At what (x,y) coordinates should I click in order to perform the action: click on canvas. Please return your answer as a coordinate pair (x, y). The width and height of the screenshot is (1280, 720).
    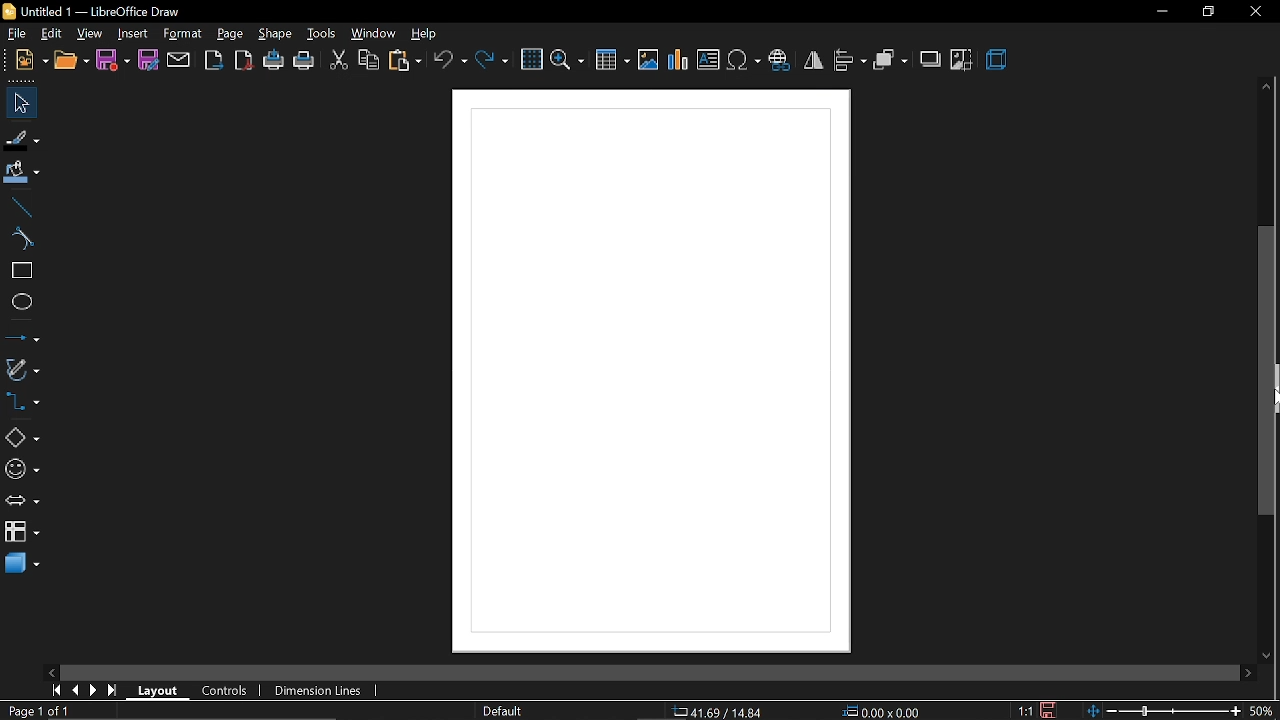
    Looking at the image, I should click on (653, 370).